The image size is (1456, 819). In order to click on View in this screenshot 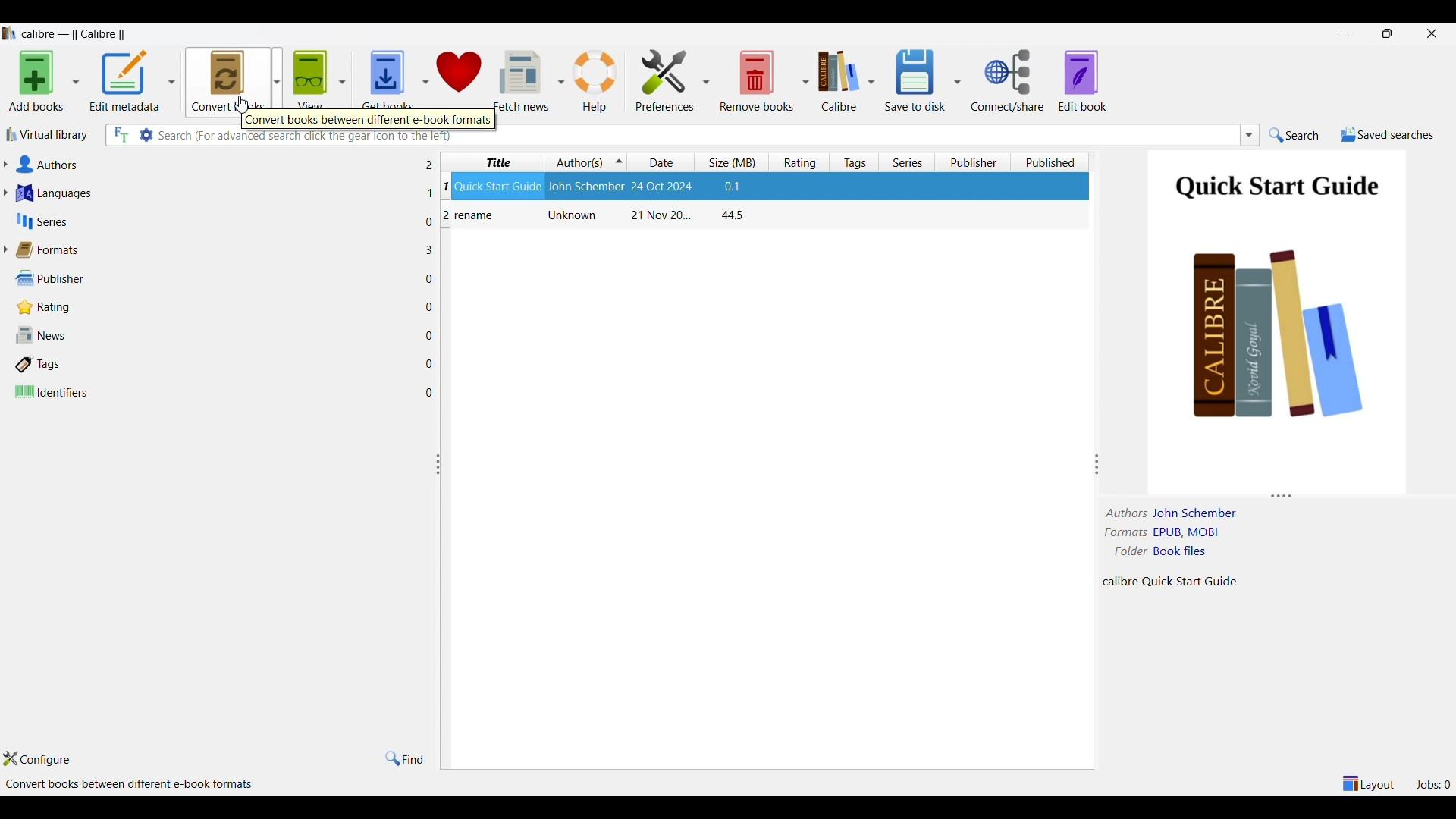, I will do `click(310, 78)`.